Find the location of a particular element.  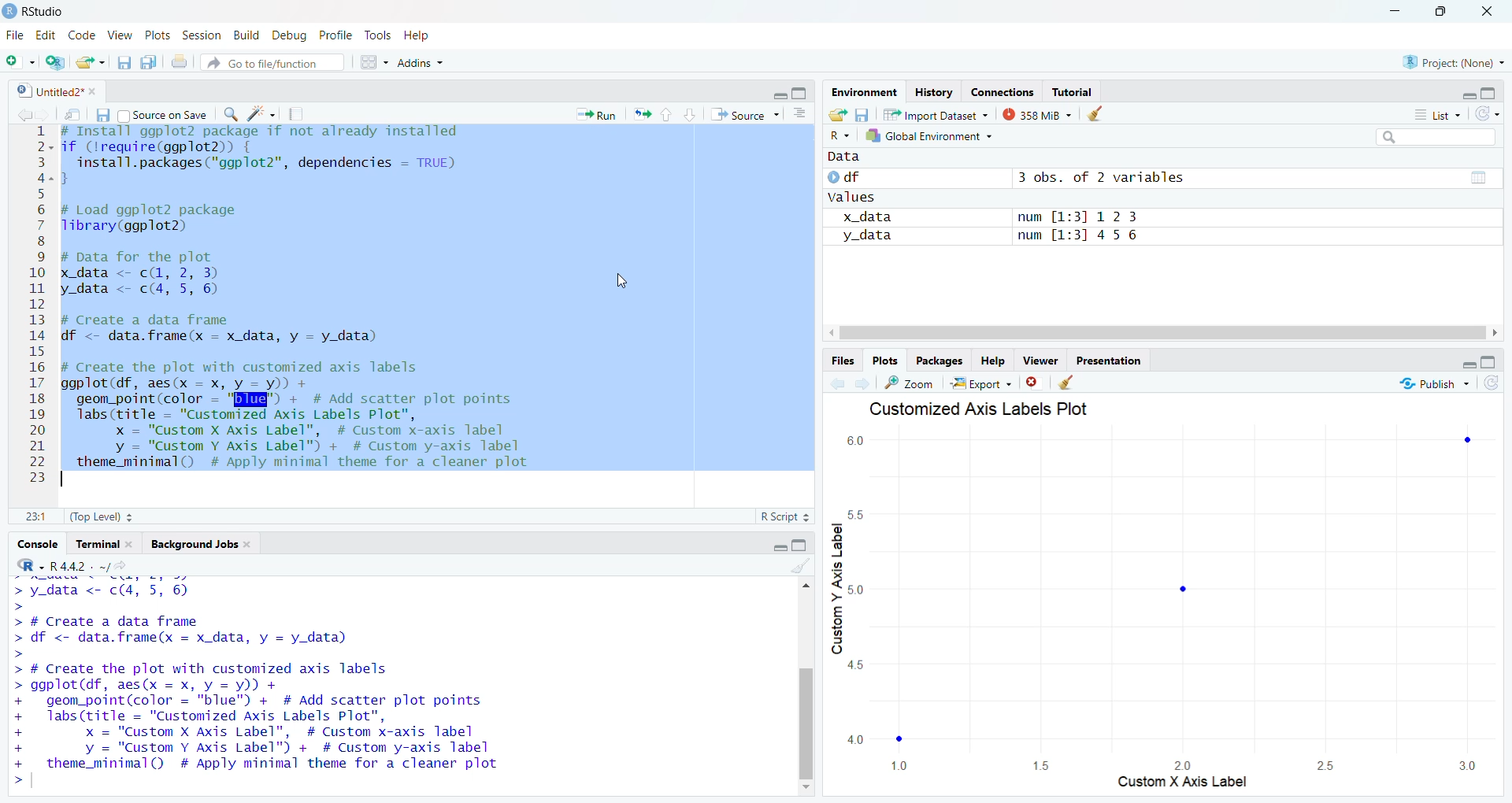

Data
df 3 obs. of 2 variables
values
x_data num [1:3] 123
y_data num [1:3] 45 6 is located at coordinates (1051, 213).